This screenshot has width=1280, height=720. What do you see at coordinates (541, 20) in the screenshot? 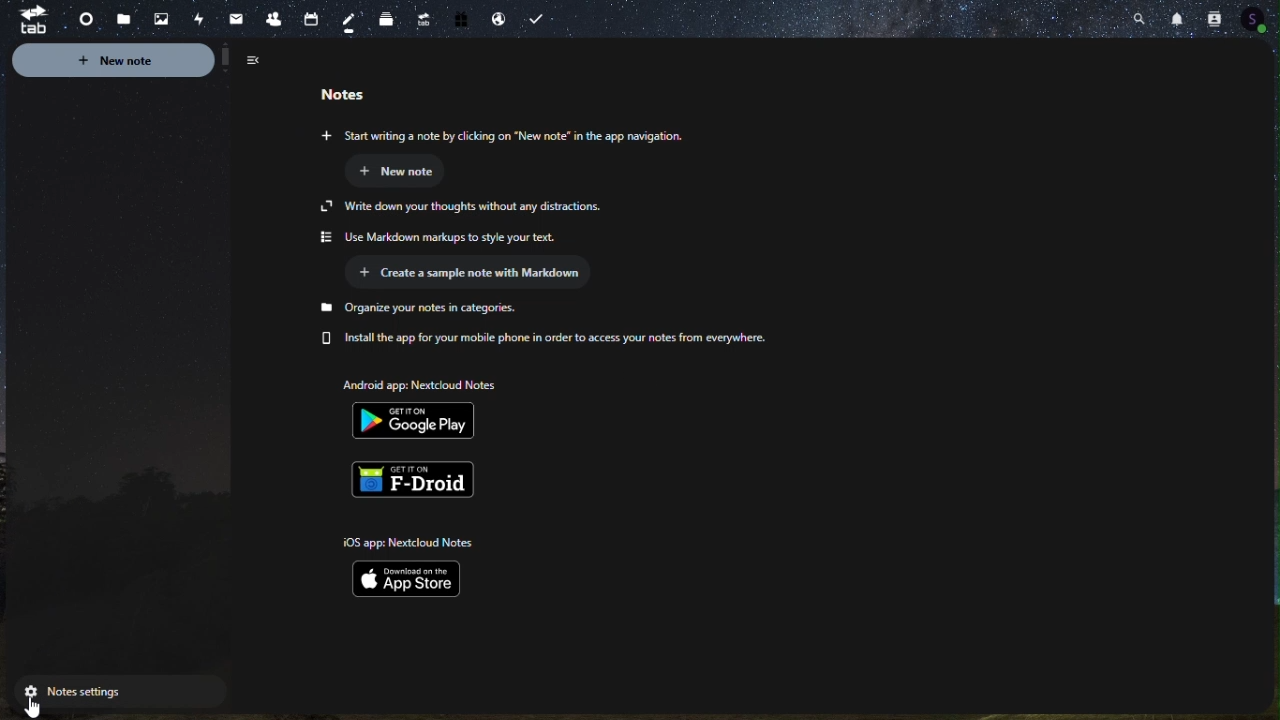
I see `task` at bounding box center [541, 20].